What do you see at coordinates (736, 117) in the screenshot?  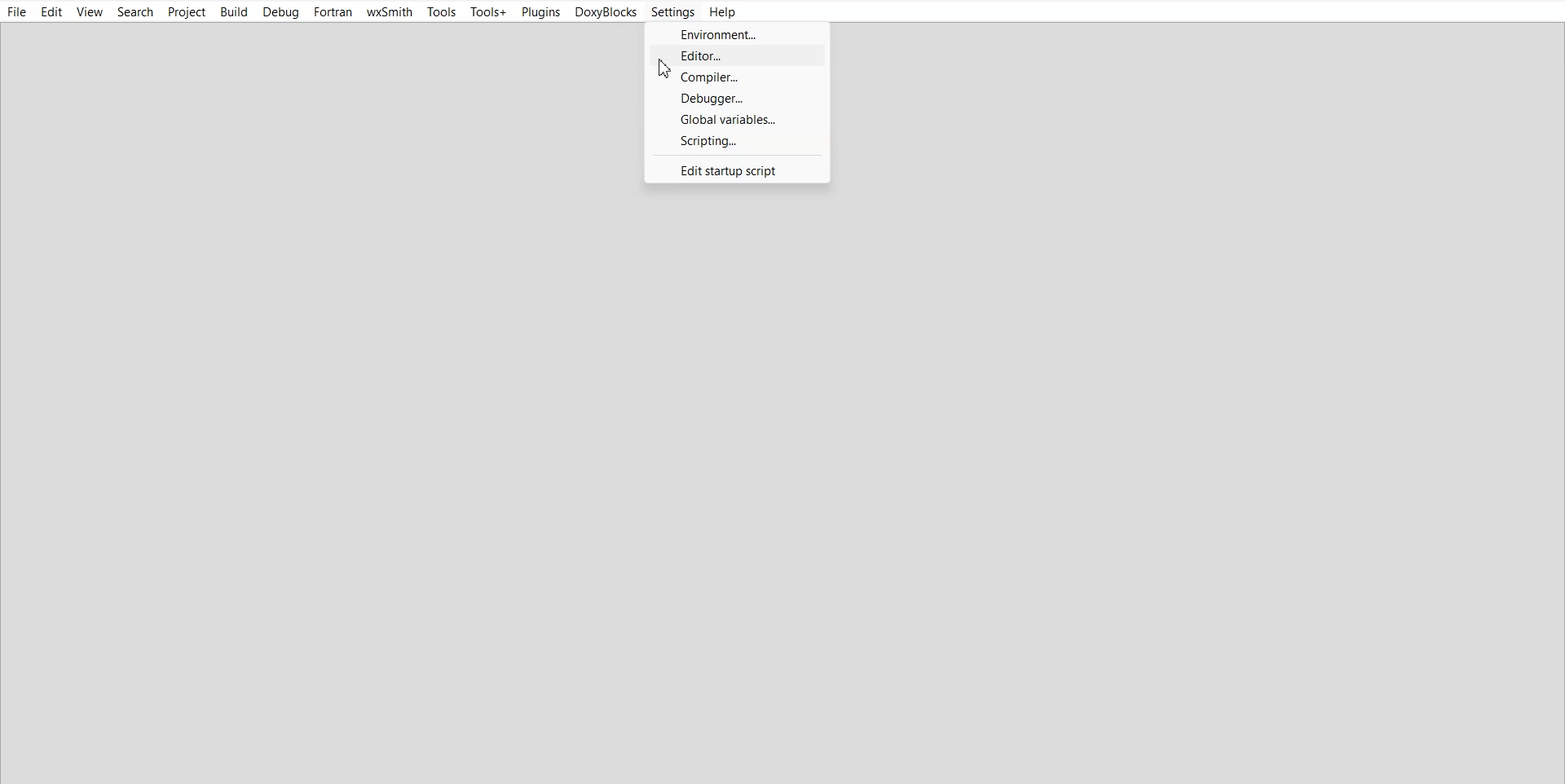 I see `Global Variables` at bounding box center [736, 117].